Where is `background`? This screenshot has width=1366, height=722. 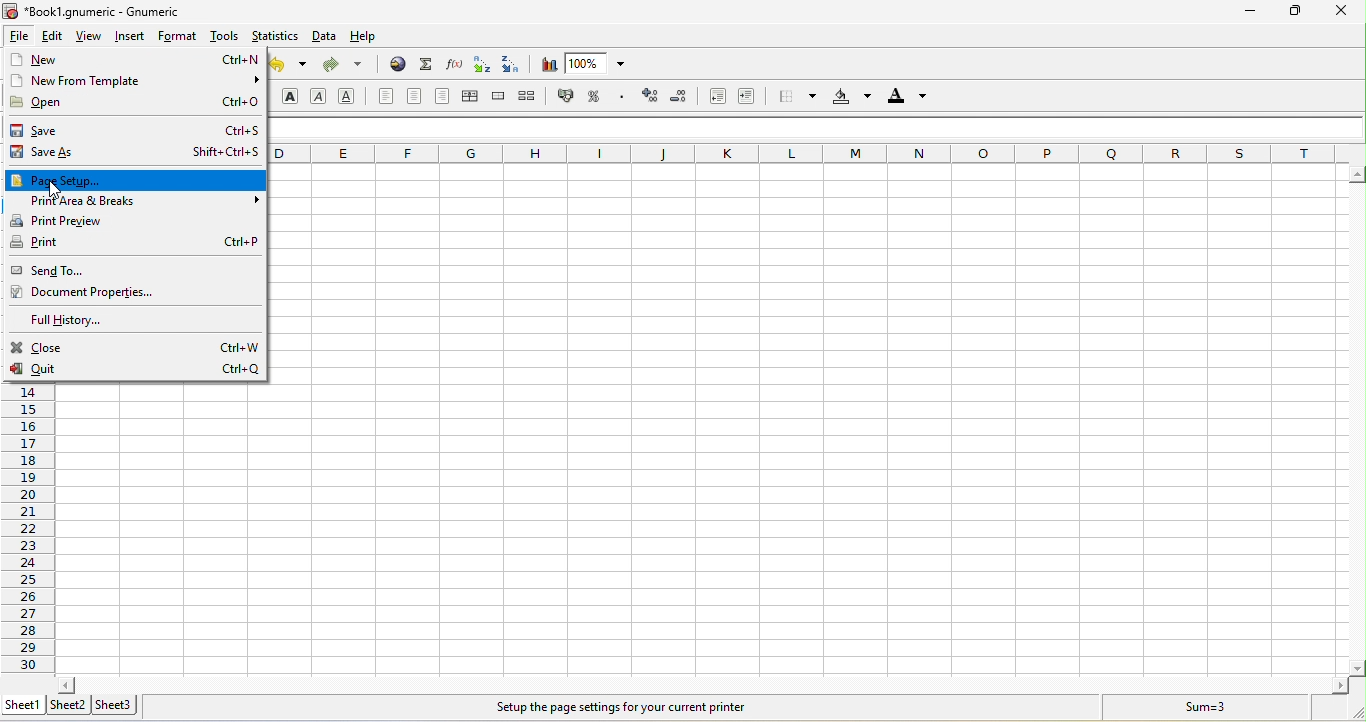 background is located at coordinates (850, 98).